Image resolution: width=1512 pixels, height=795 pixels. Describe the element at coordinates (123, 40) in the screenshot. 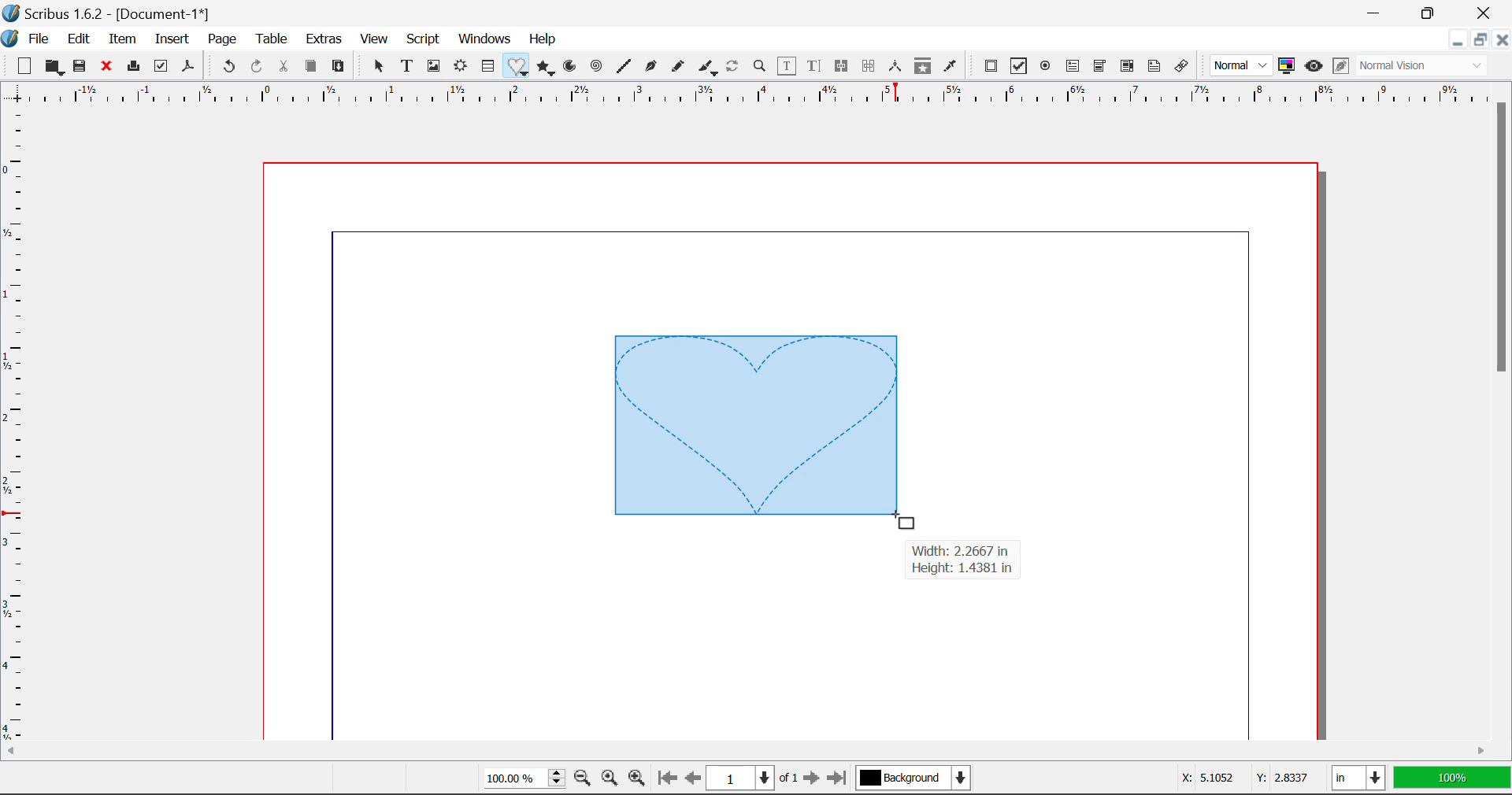

I see `Item` at that location.